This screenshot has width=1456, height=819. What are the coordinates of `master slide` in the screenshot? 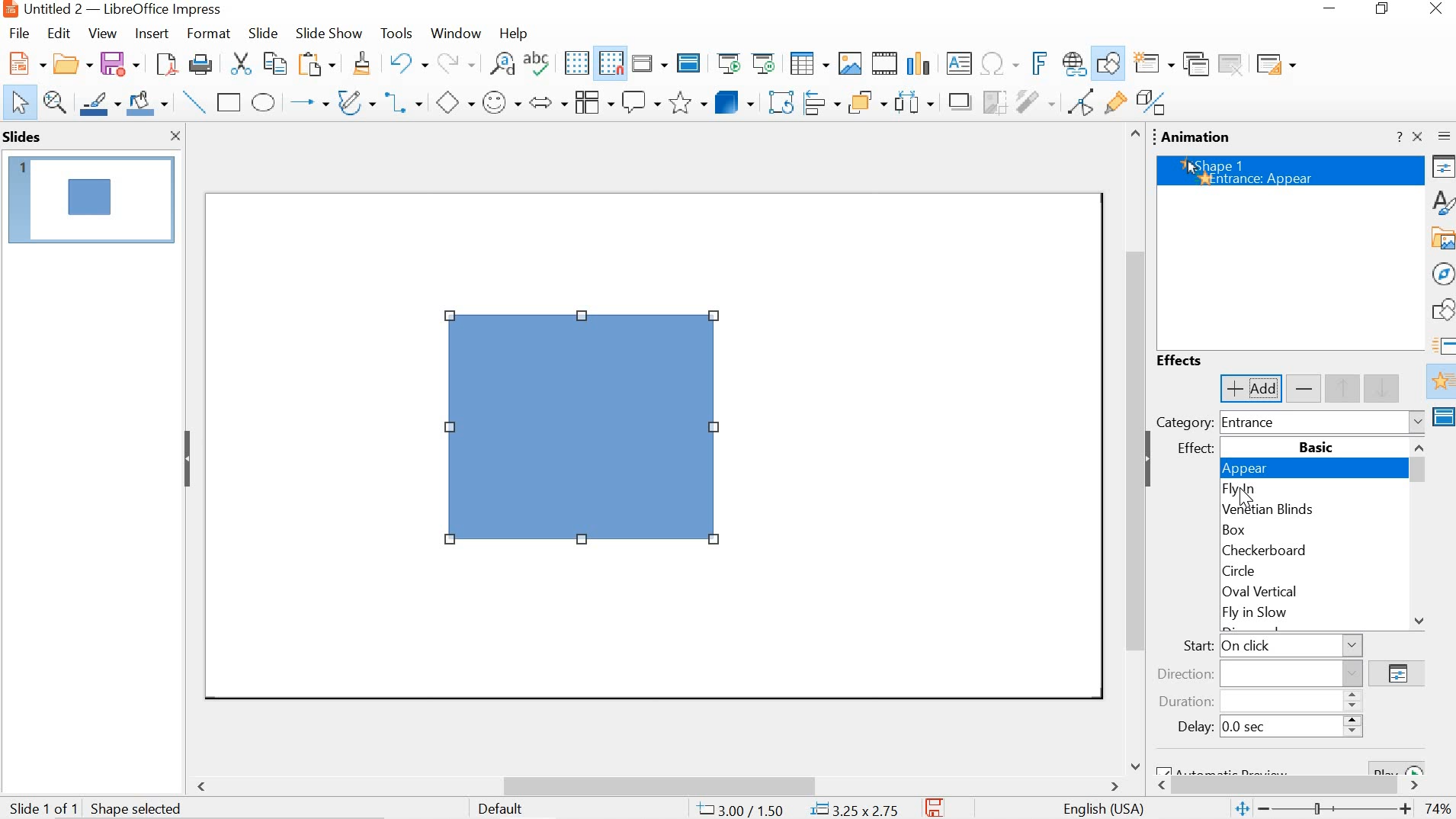 It's located at (689, 64).